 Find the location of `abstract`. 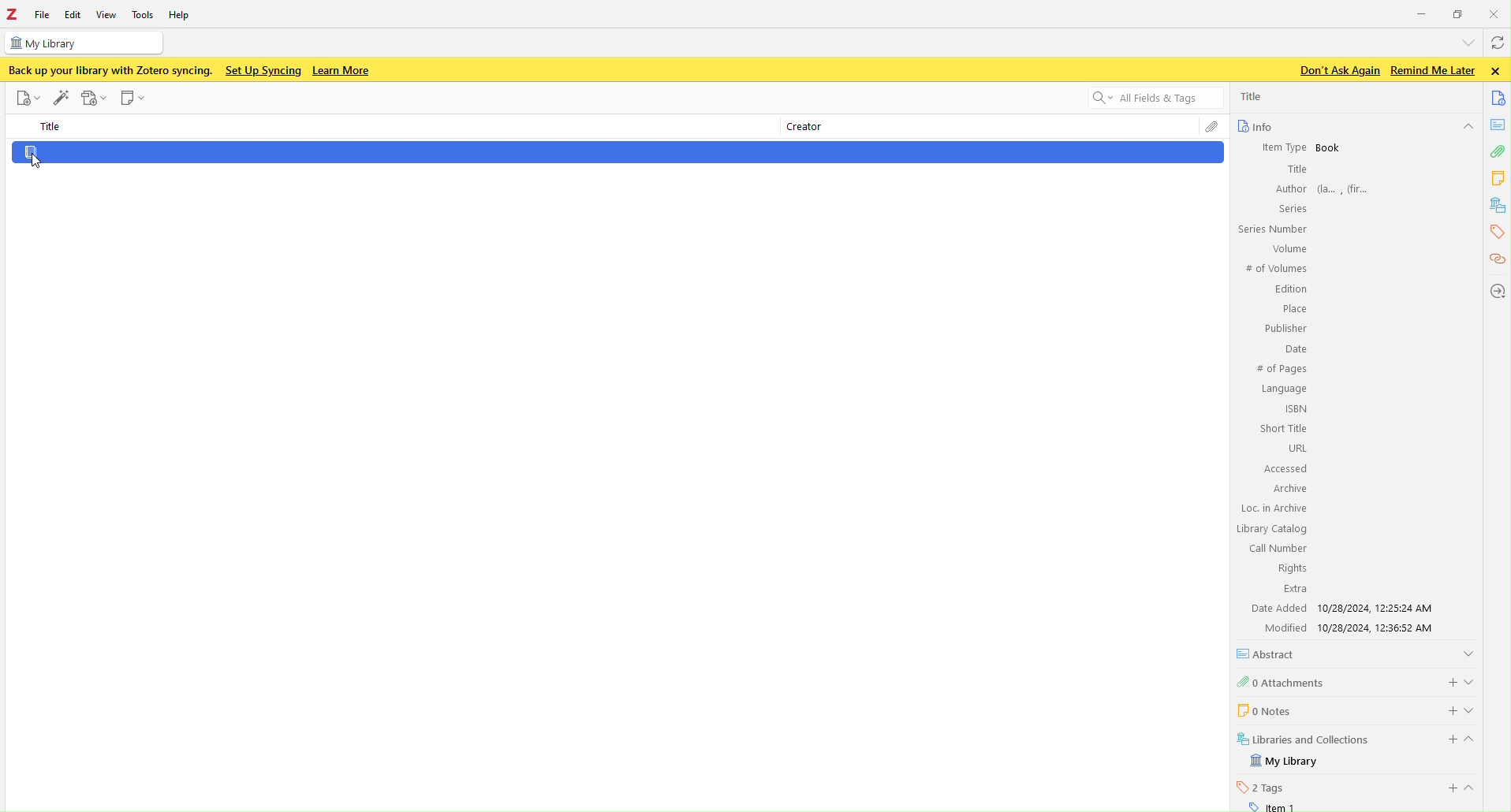

abstract is located at coordinates (1354, 654).